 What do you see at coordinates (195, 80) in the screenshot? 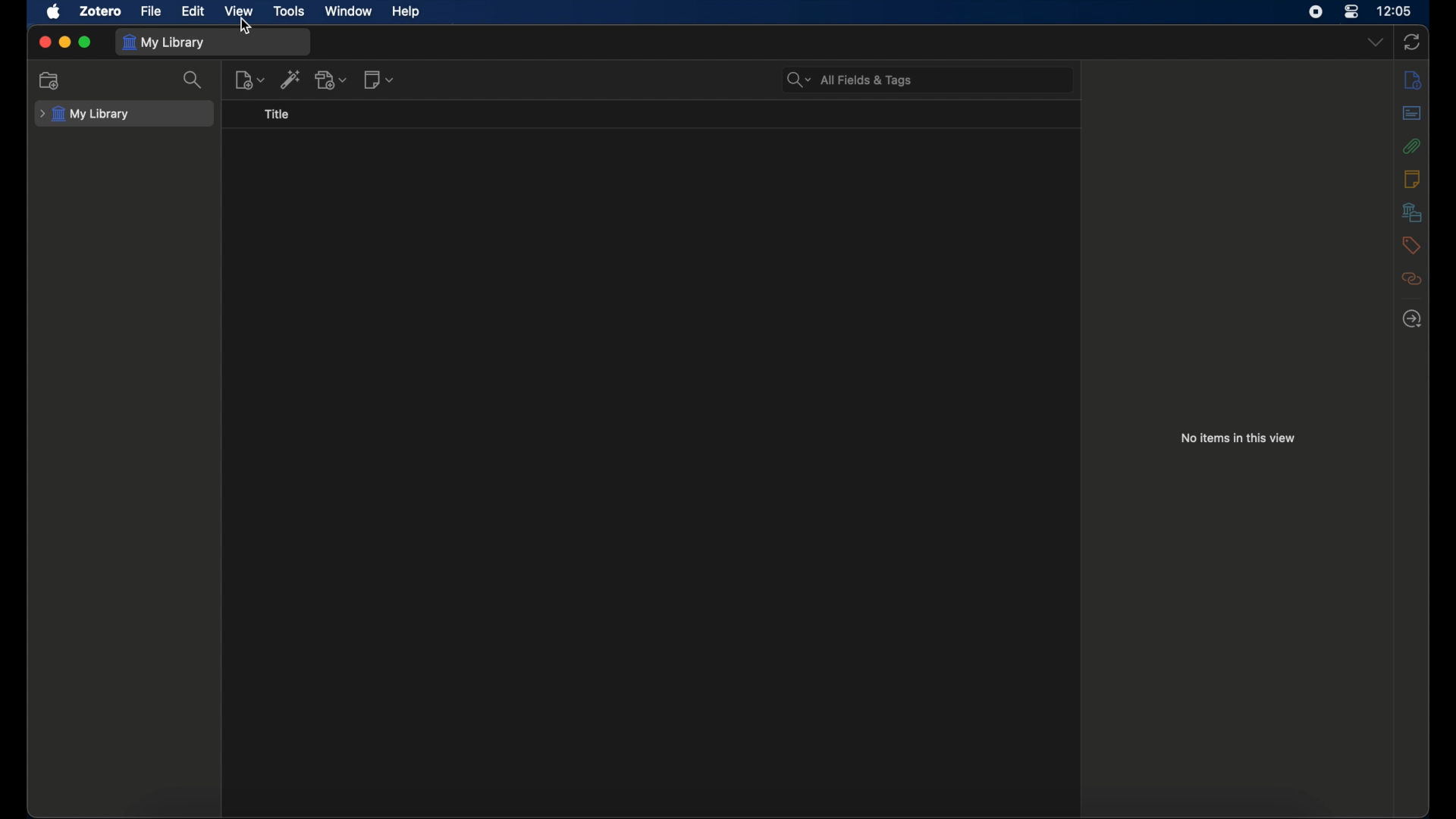
I see `search` at bounding box center [195, 80].